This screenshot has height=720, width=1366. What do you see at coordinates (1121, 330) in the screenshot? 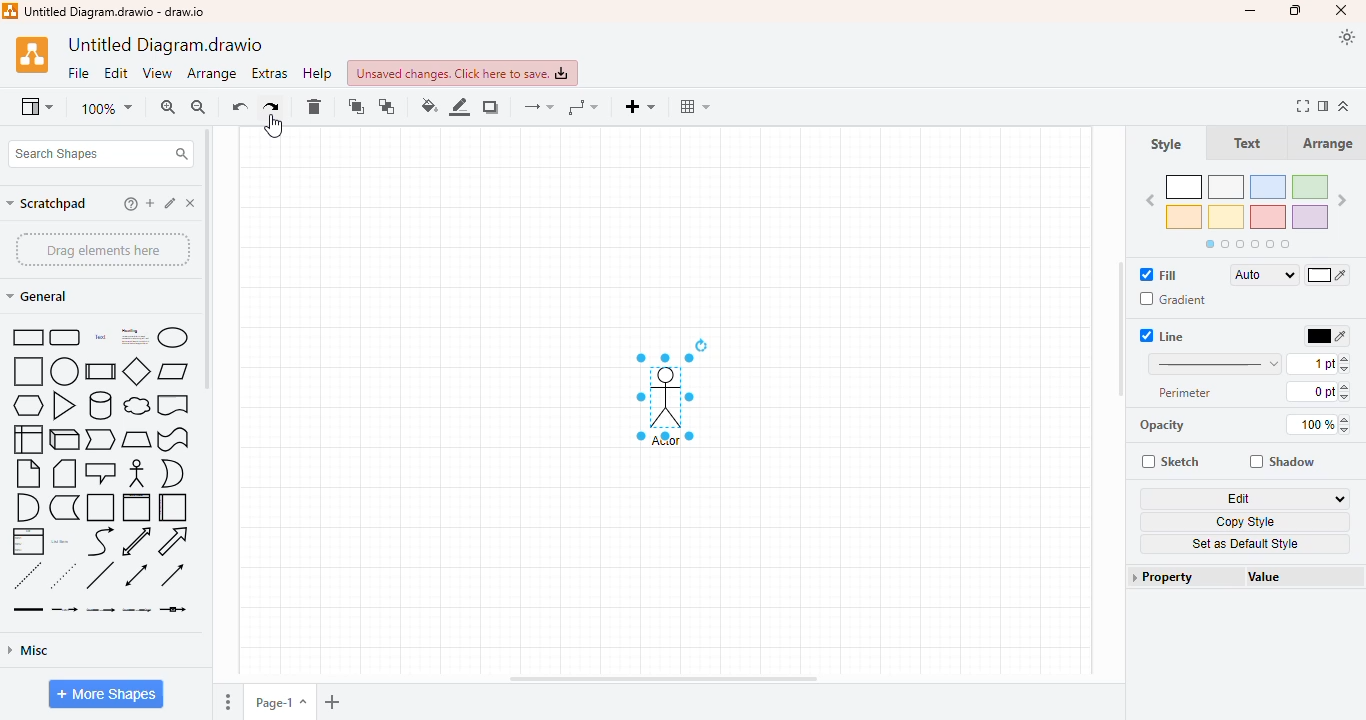
I see `vertical scroll bar` at bounding box center [1121, 330].